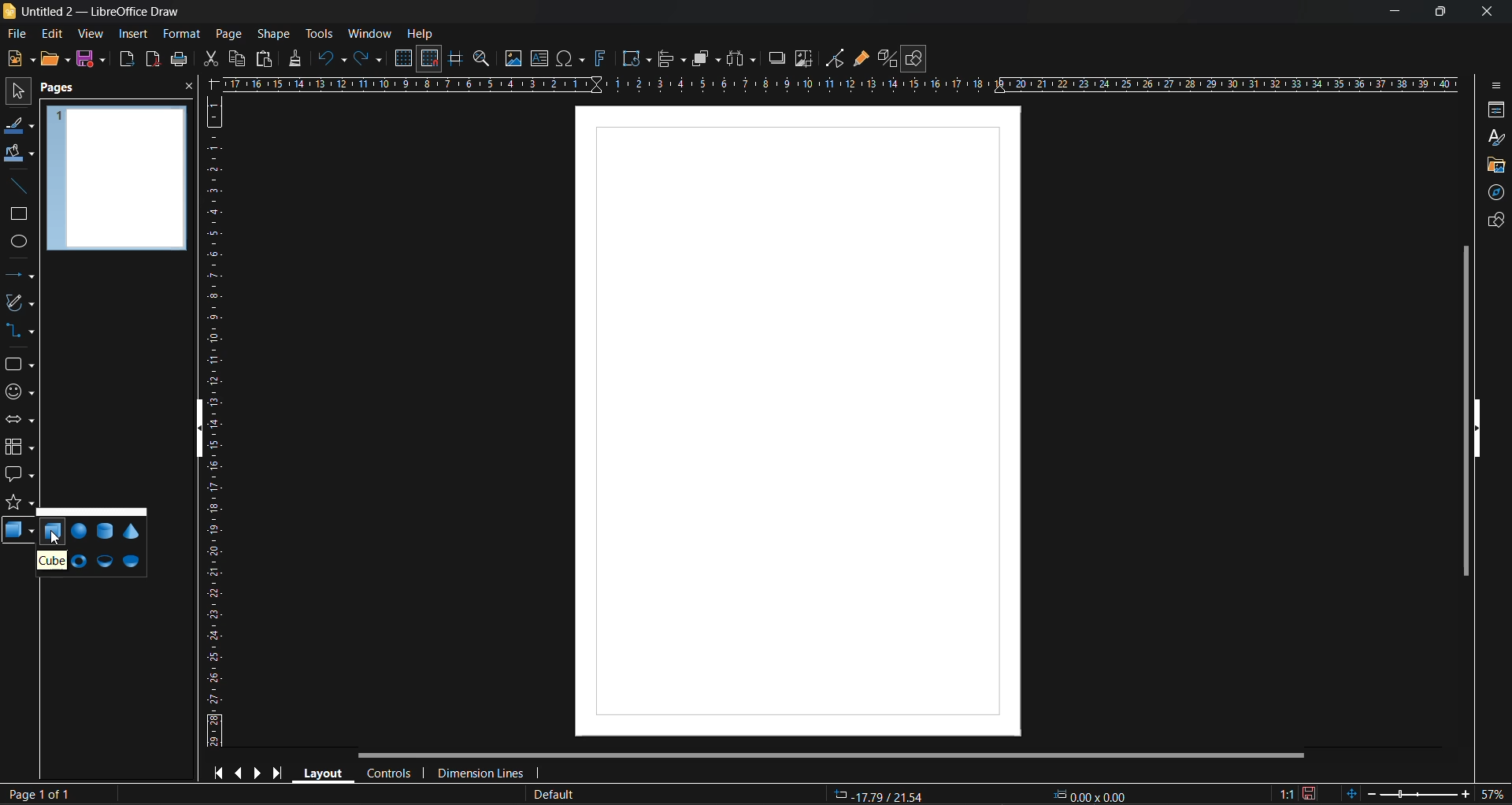 The height and width of the screenshot is (805, 1512). I want to click on open, so click(54, 58).